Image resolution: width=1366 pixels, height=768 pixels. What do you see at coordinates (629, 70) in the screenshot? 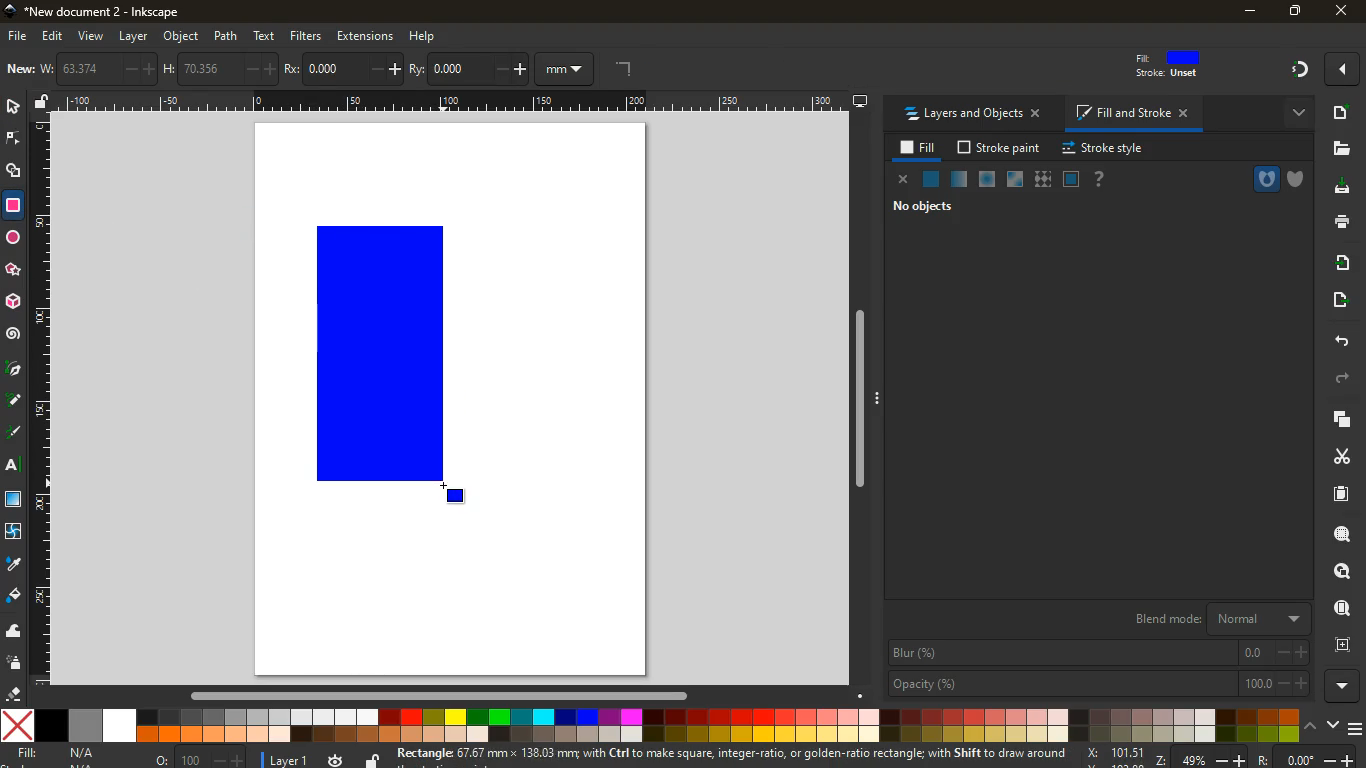
I see `angle` at bounding box center [629, 70].